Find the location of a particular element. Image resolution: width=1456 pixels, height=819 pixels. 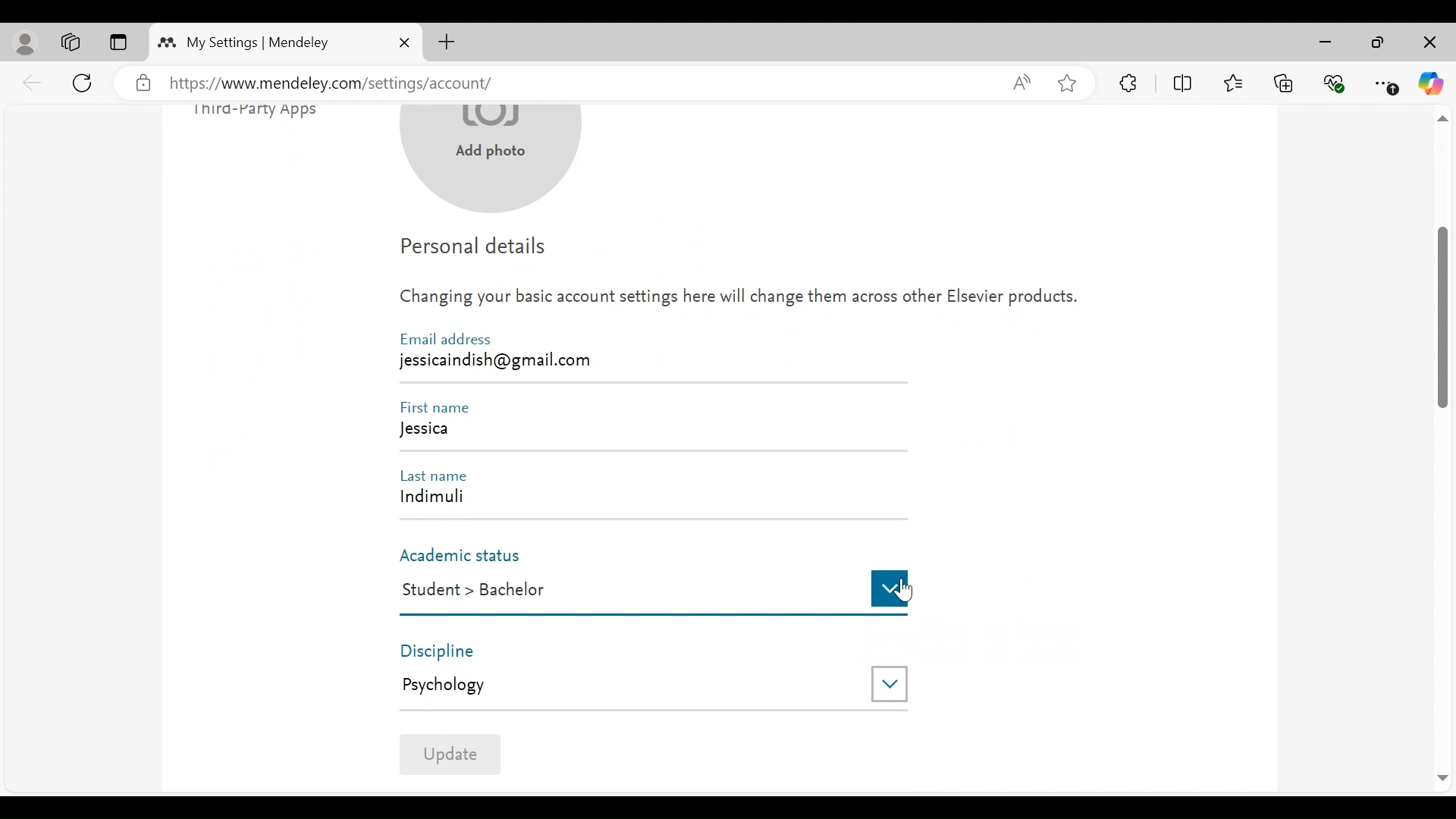

Read aloud this page is located at coordinates (1021, 82).